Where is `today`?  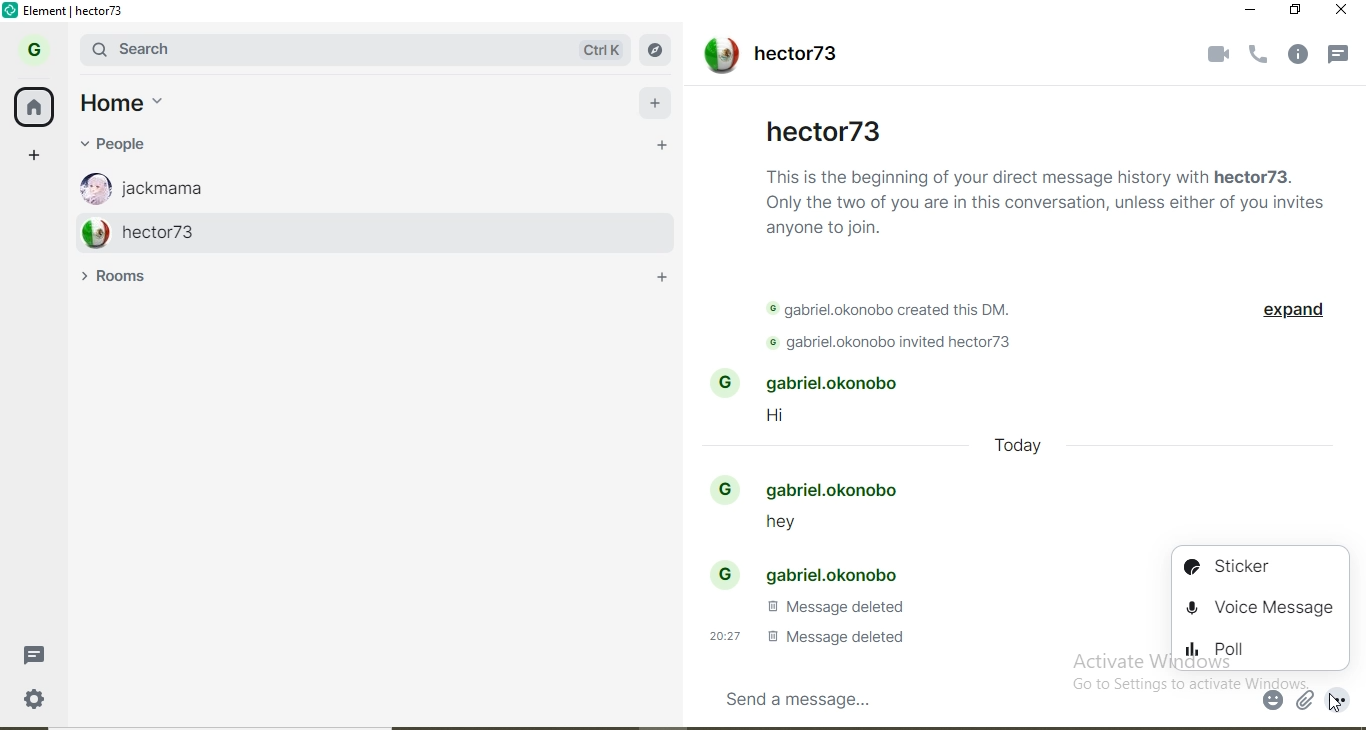
today is located at coordinates (1019, 450).